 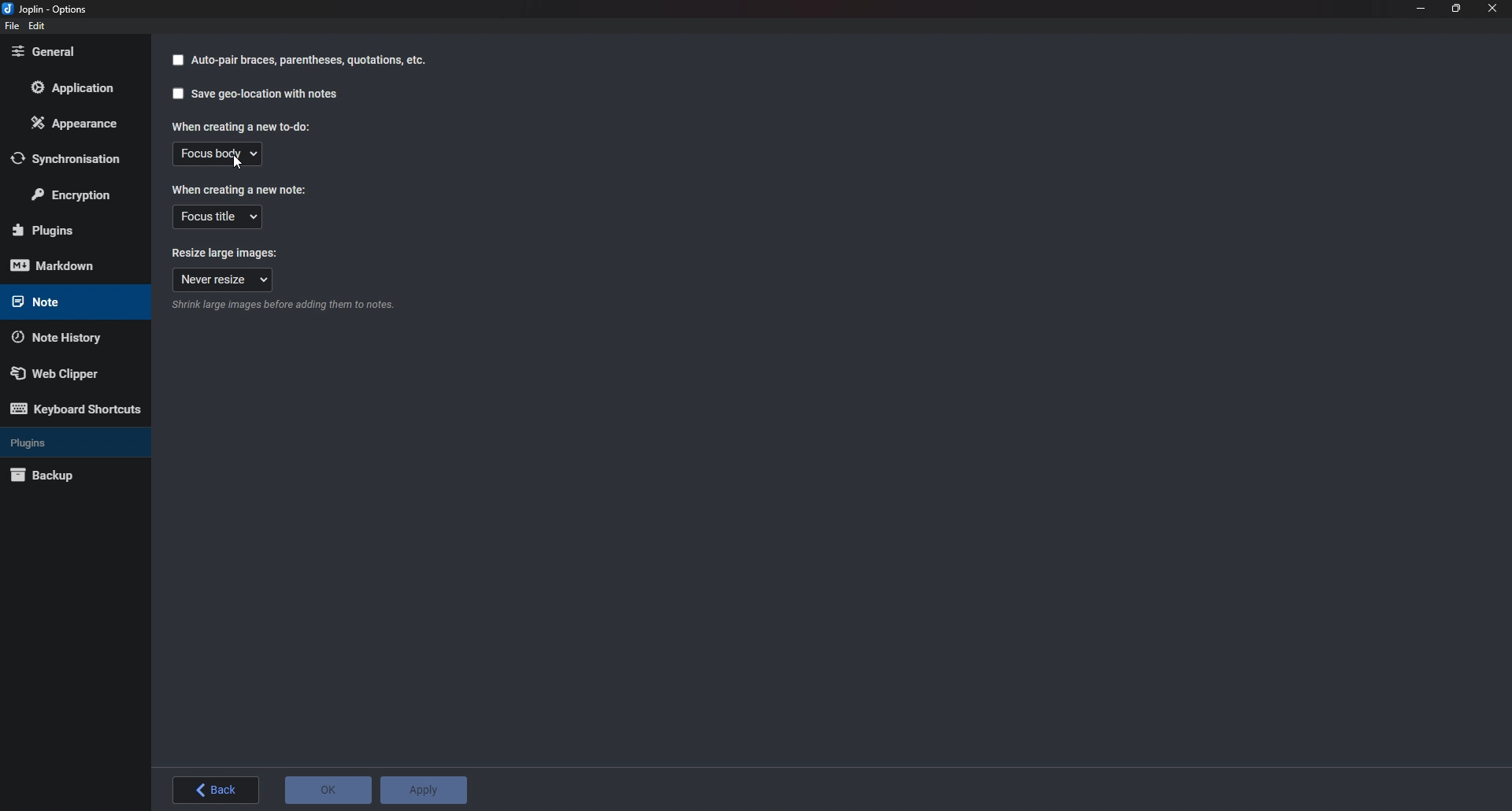 I want to click on Synchronization, so click(x=73, y=158).